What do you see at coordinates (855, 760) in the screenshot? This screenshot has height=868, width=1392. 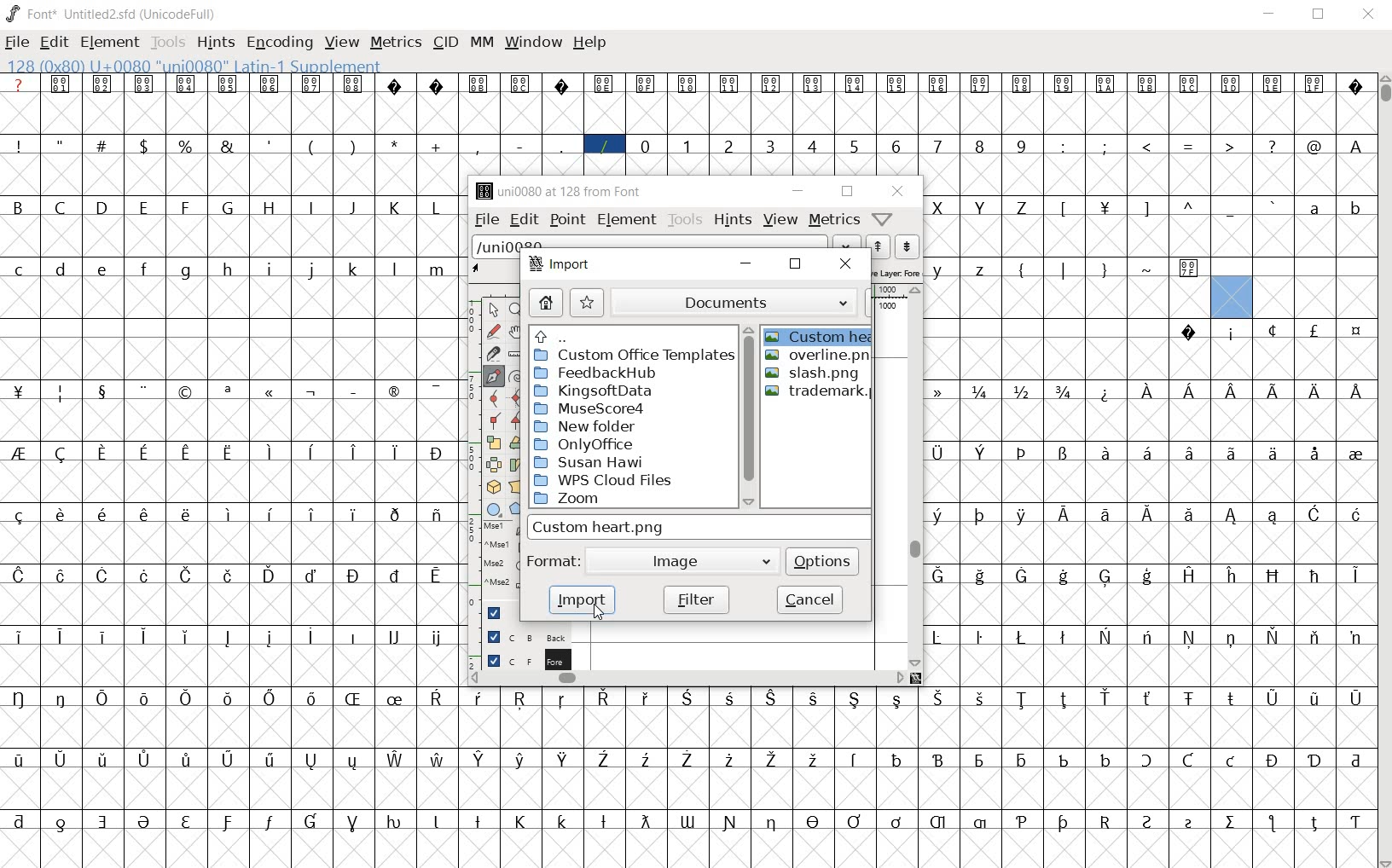 I see `glyph` at bounding box center [855, 760].